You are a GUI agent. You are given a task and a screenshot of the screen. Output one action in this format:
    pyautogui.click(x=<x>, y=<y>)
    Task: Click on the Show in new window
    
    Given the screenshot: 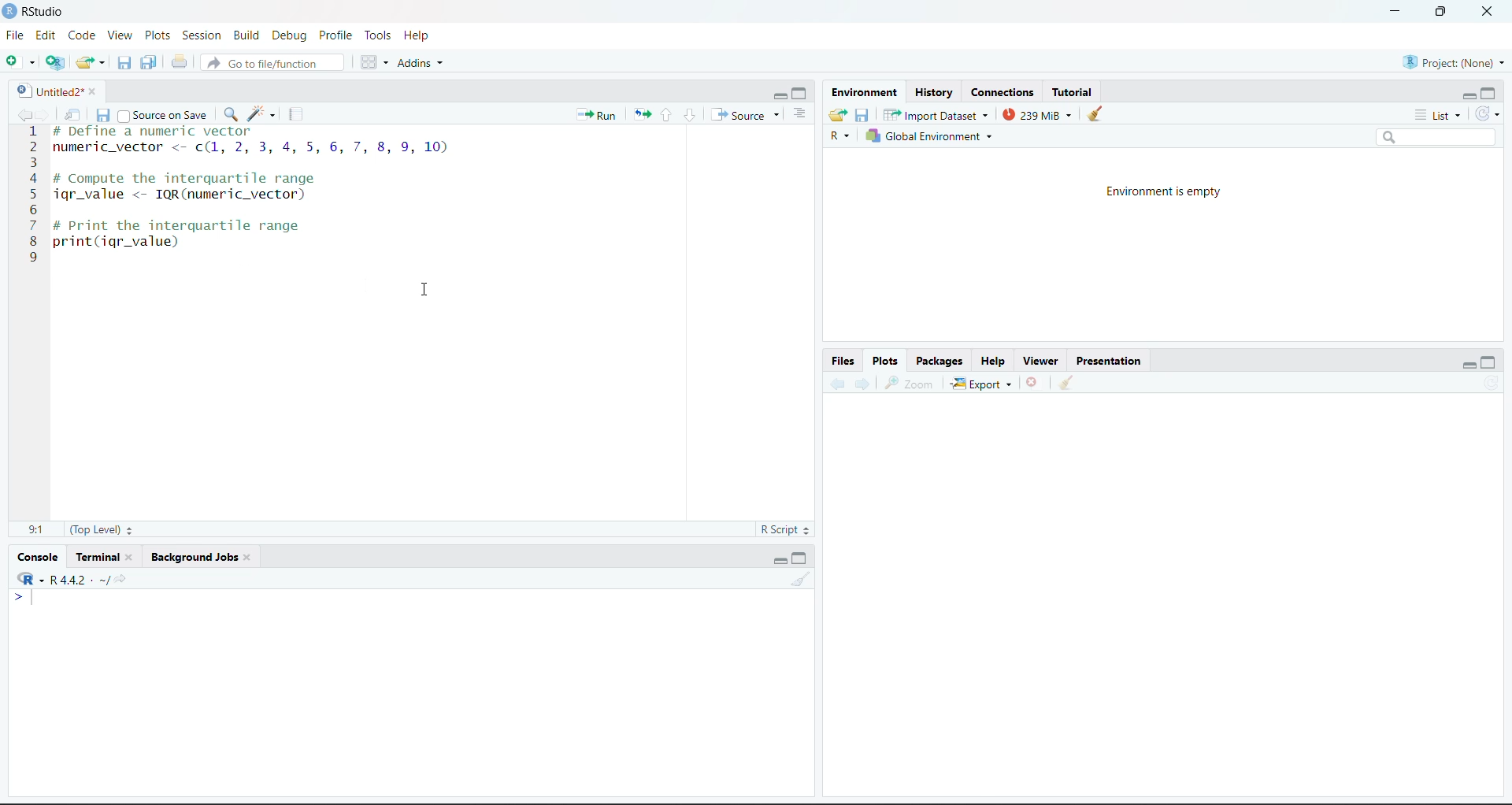 What is the action you would take?
    pyautogui.click(x=74, y=114)
    